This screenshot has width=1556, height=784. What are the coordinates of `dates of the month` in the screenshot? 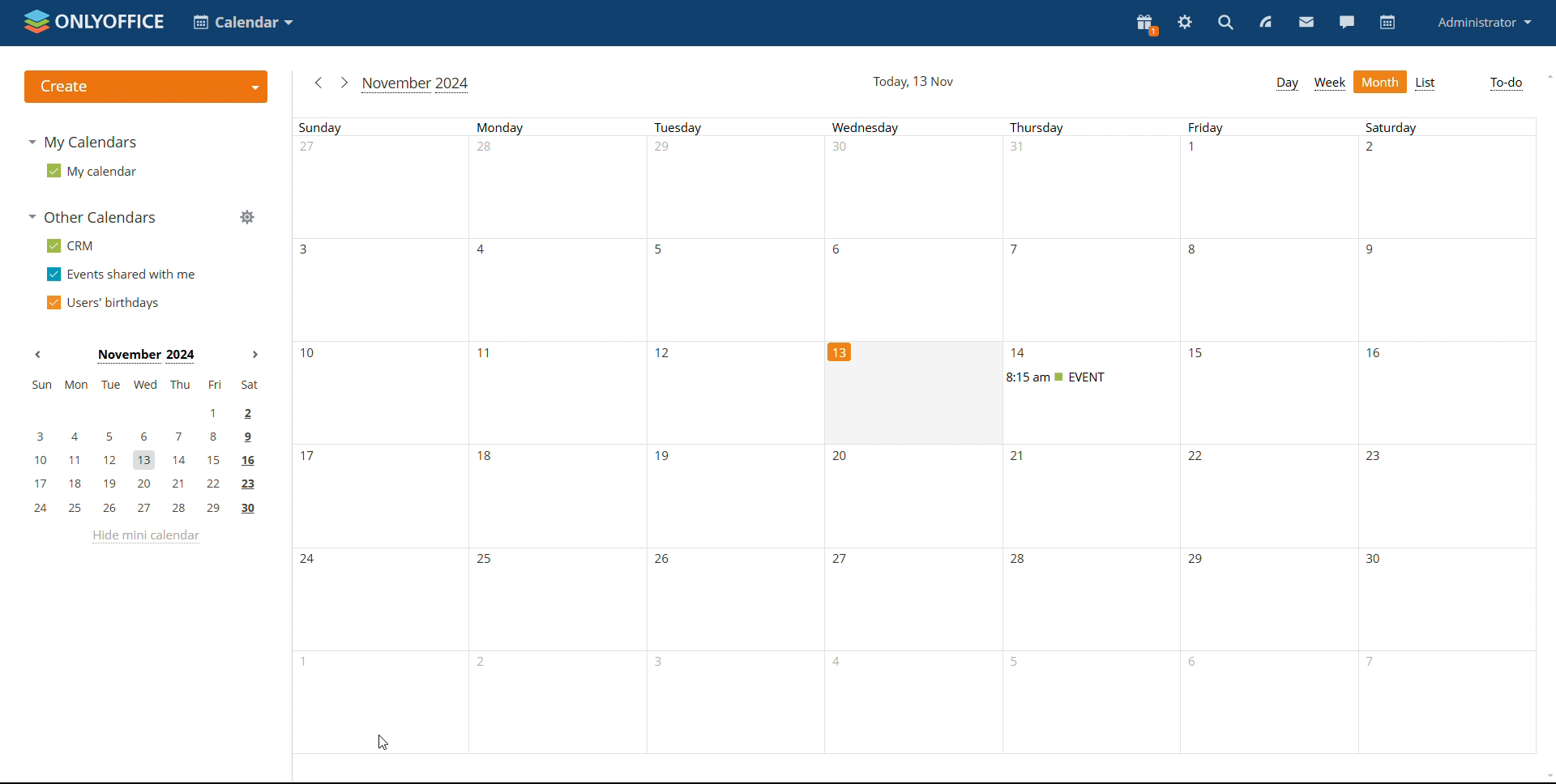 It's located at (925, 499).